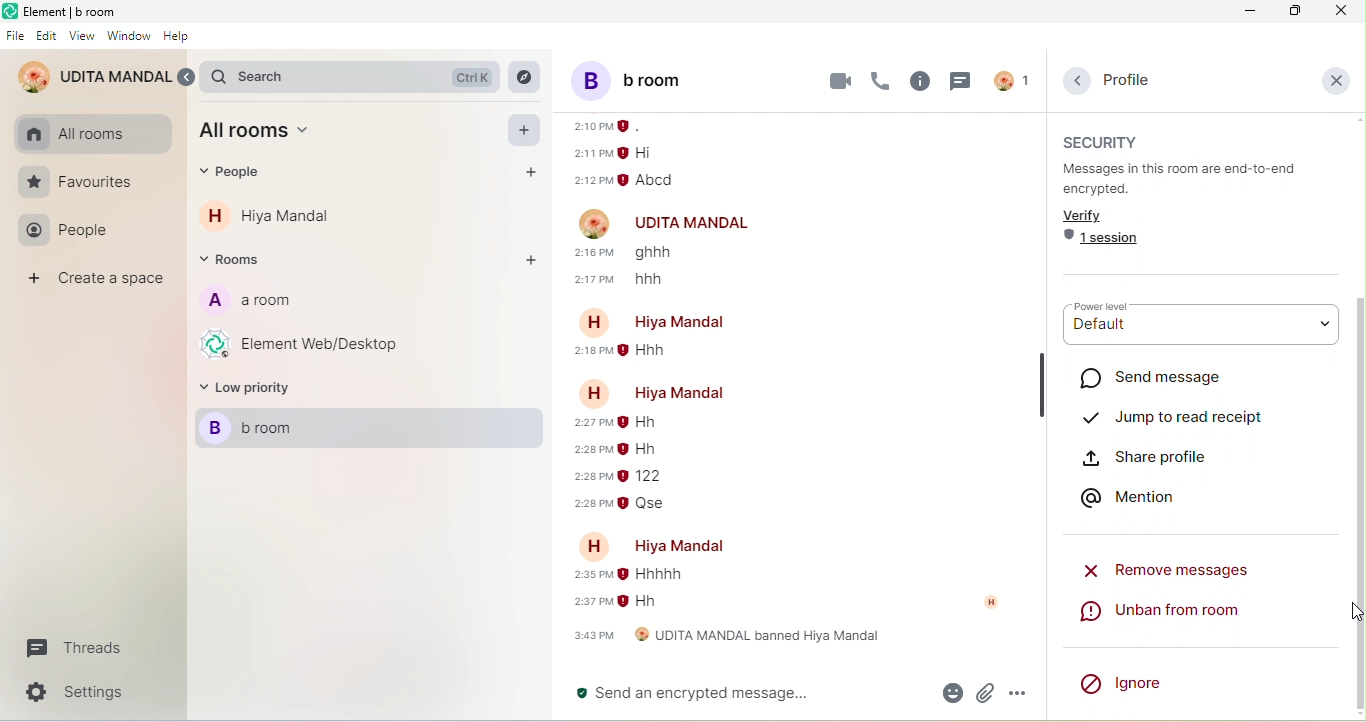 This screenshot has width=1366, height=722. I want to click on hide, so click(1042, 383).